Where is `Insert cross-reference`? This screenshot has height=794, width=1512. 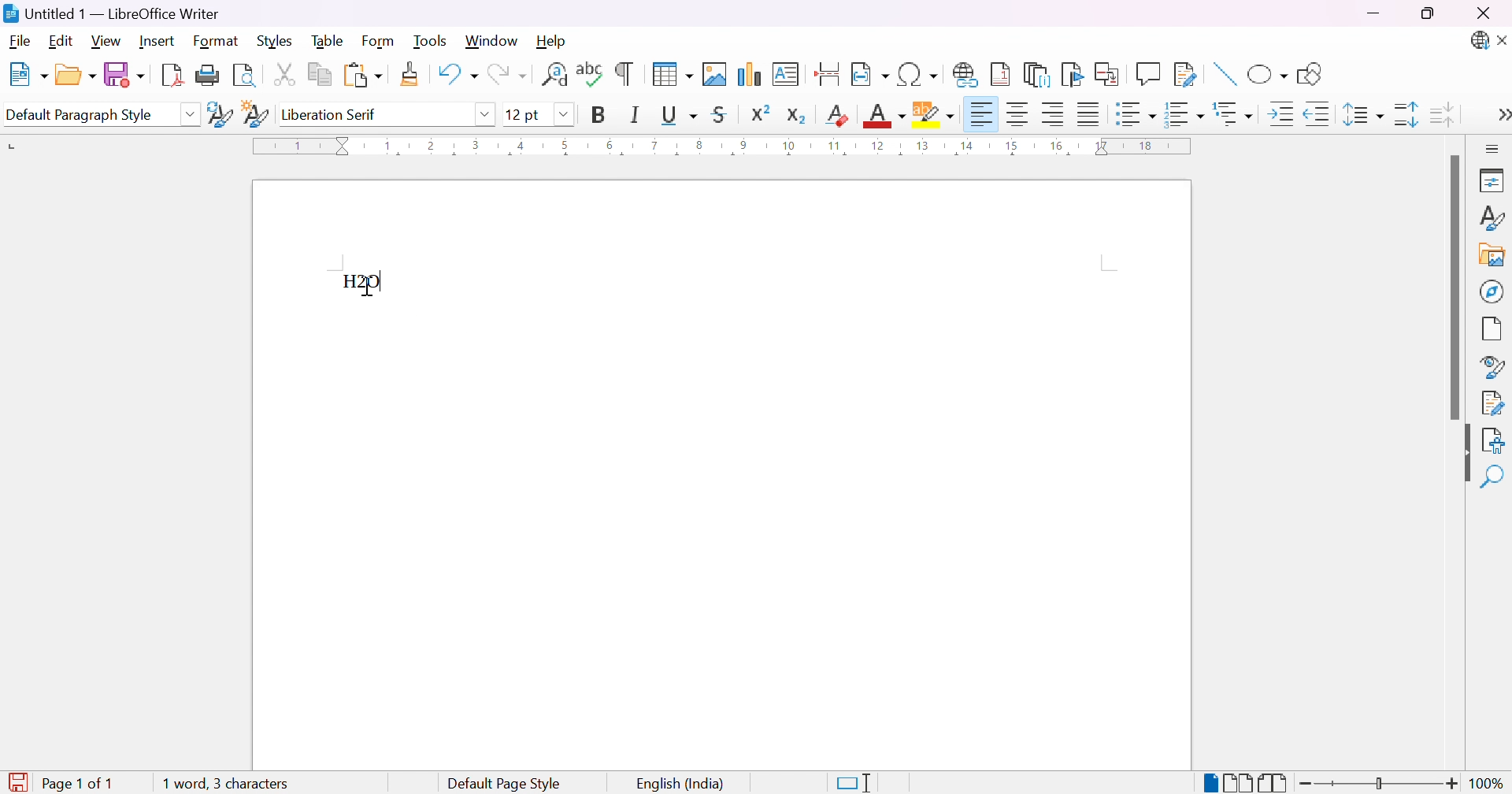 Insert cross-reference is located at coordinates (1110, 72).